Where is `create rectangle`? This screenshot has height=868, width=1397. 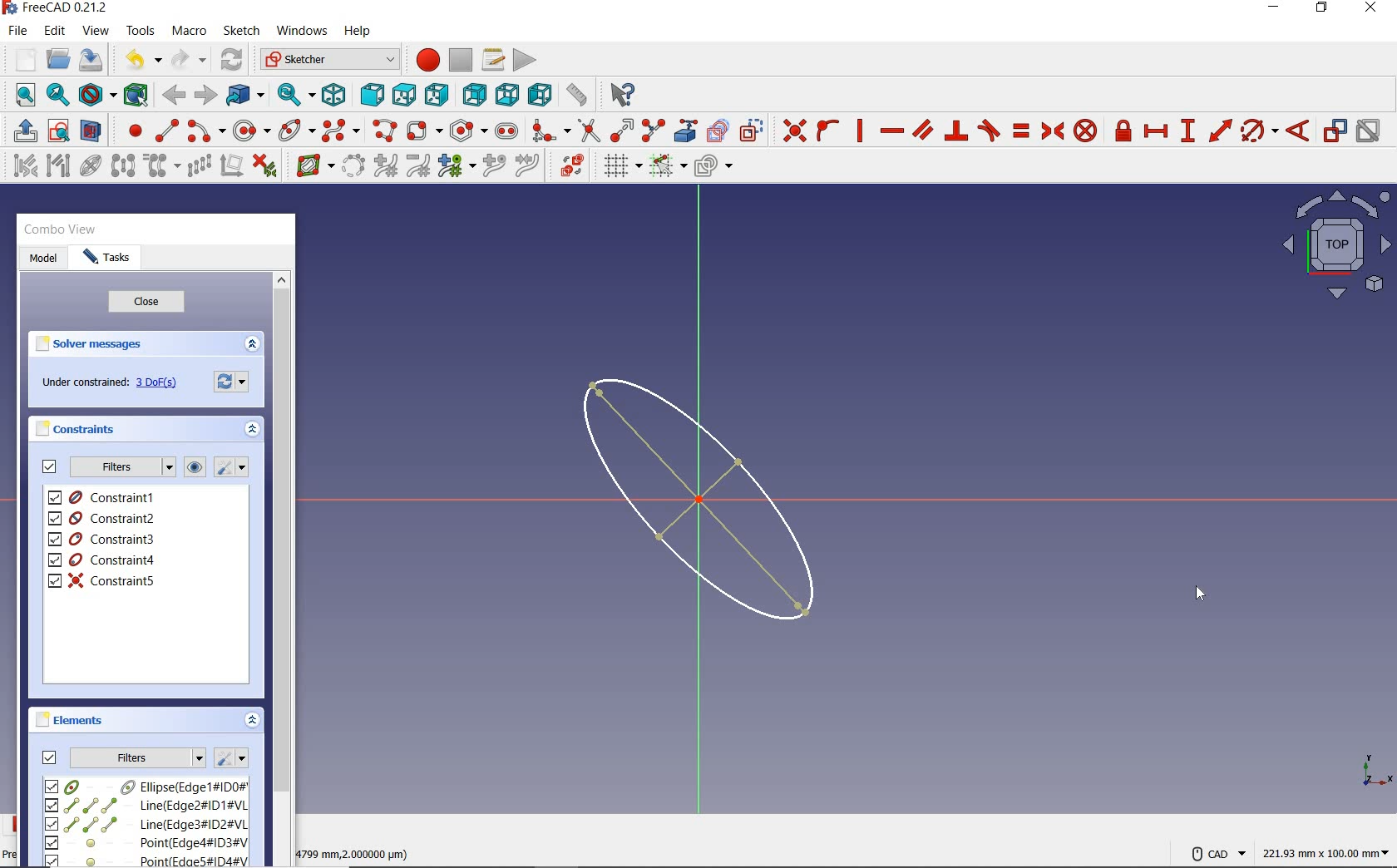
create rectangle is located at coordinates (423, 131).